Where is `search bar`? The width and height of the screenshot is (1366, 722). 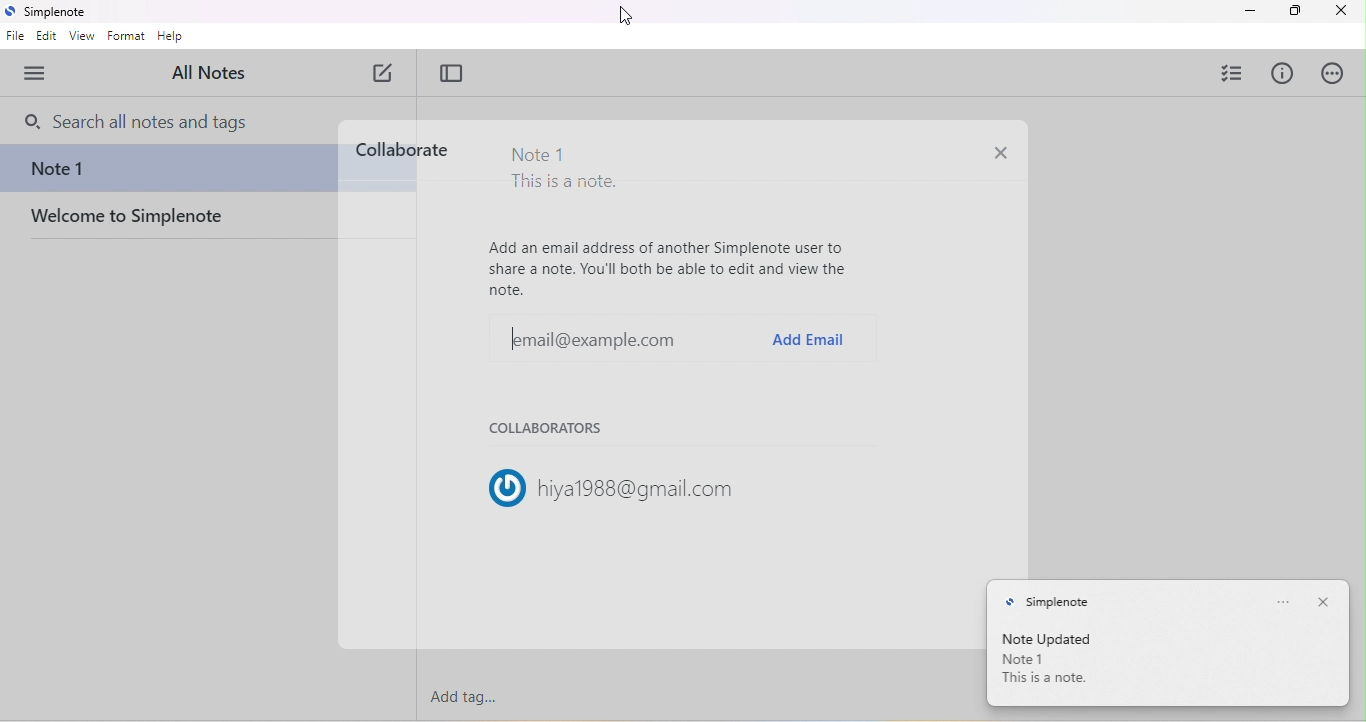 search bar is located at coordinates (148, 122).